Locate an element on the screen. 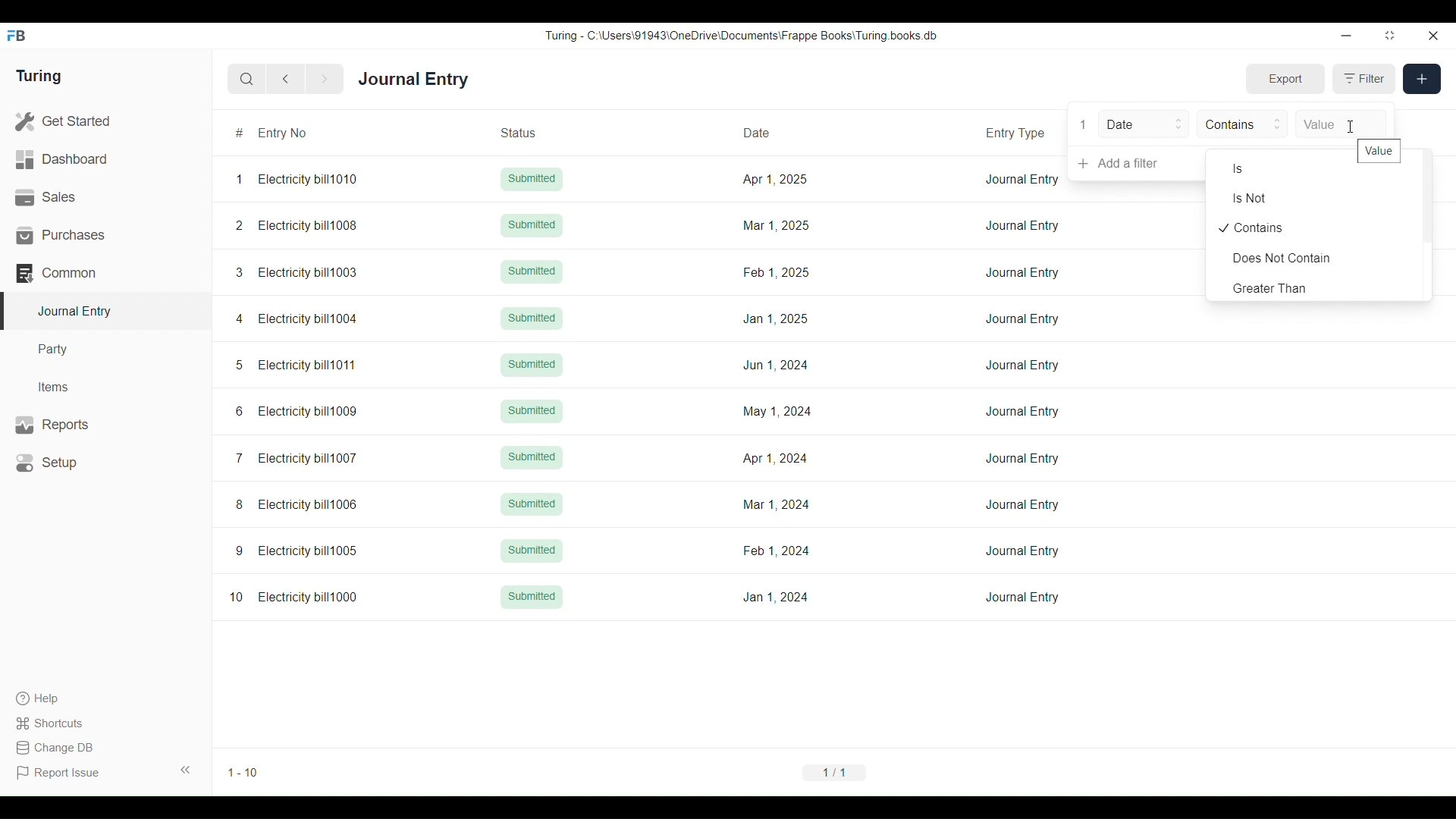 This screenshot has height=819, width=1456. Dashboard is located at coordinates (105, 159).